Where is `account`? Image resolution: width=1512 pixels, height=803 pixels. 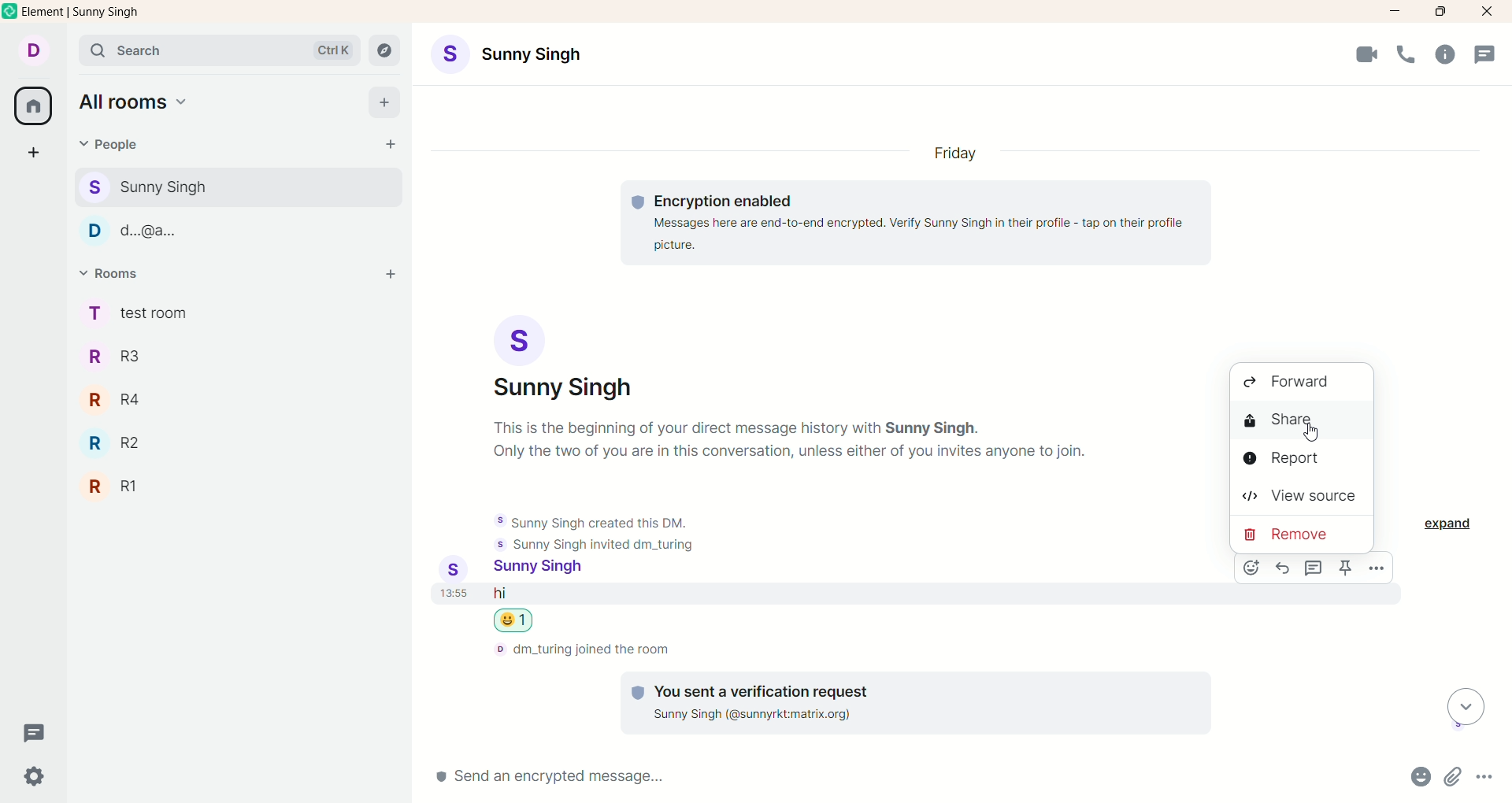 account is located at coordinates (35, 52).